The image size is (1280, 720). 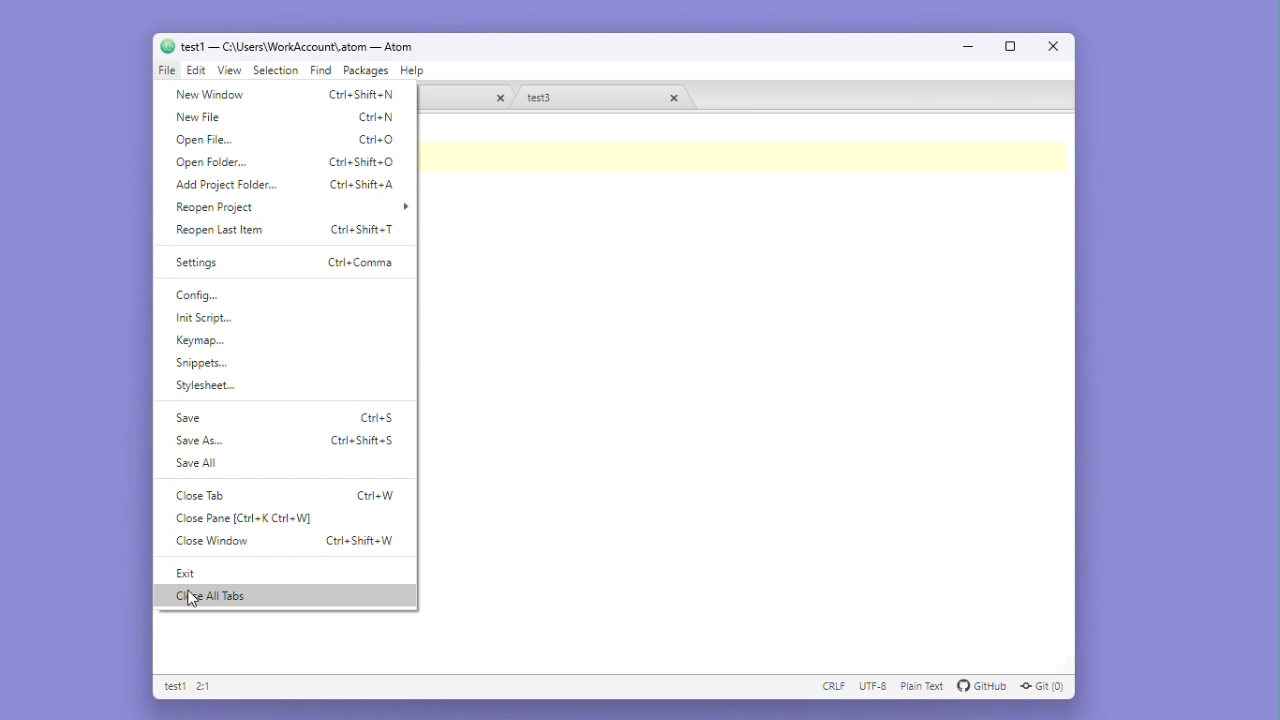 What do you see at coordinates (213, 116) in the screenshot?
I see `New file` at bounding box center [213, 116].